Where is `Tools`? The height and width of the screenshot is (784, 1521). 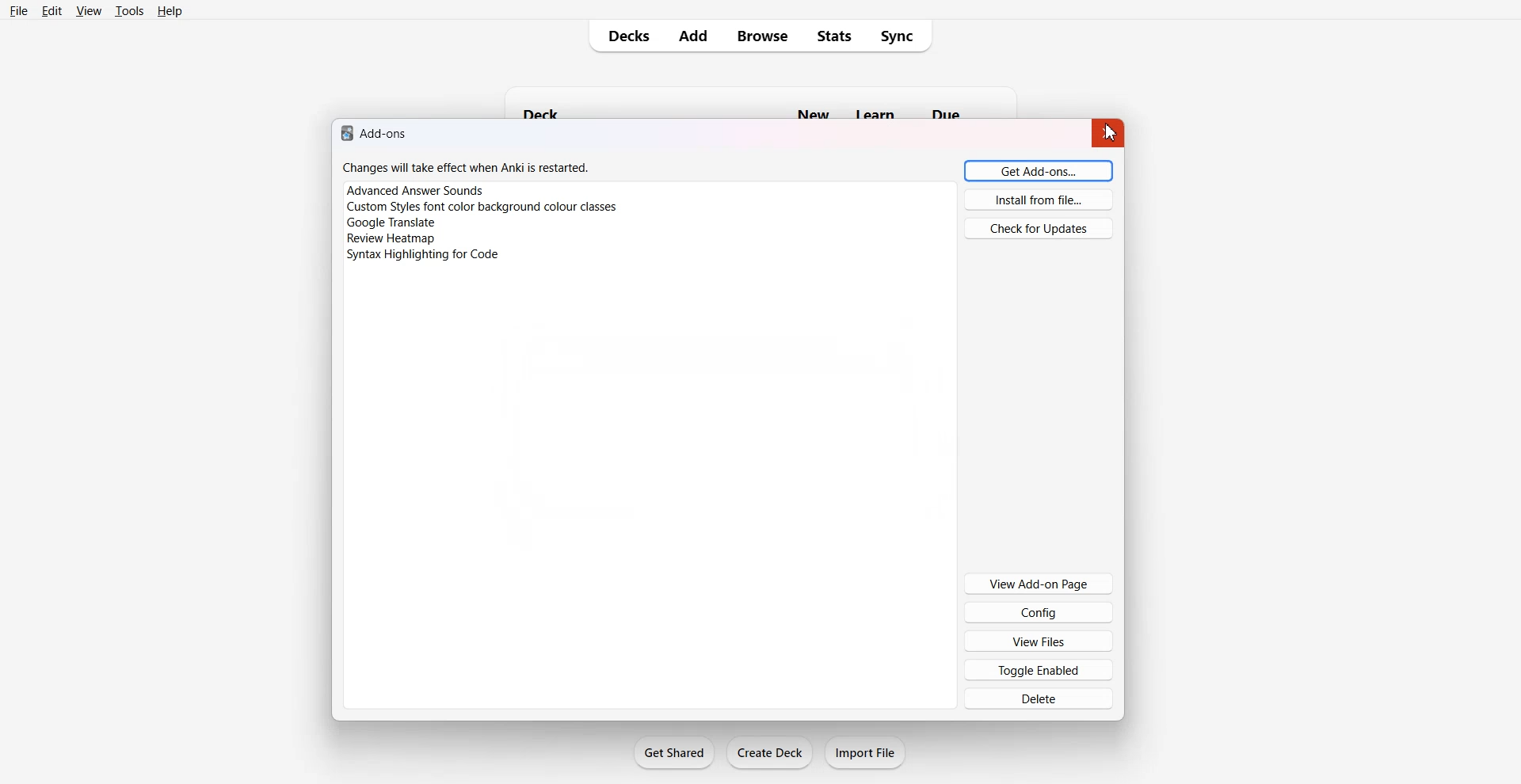
Tools is located at coordinates (129, 11).